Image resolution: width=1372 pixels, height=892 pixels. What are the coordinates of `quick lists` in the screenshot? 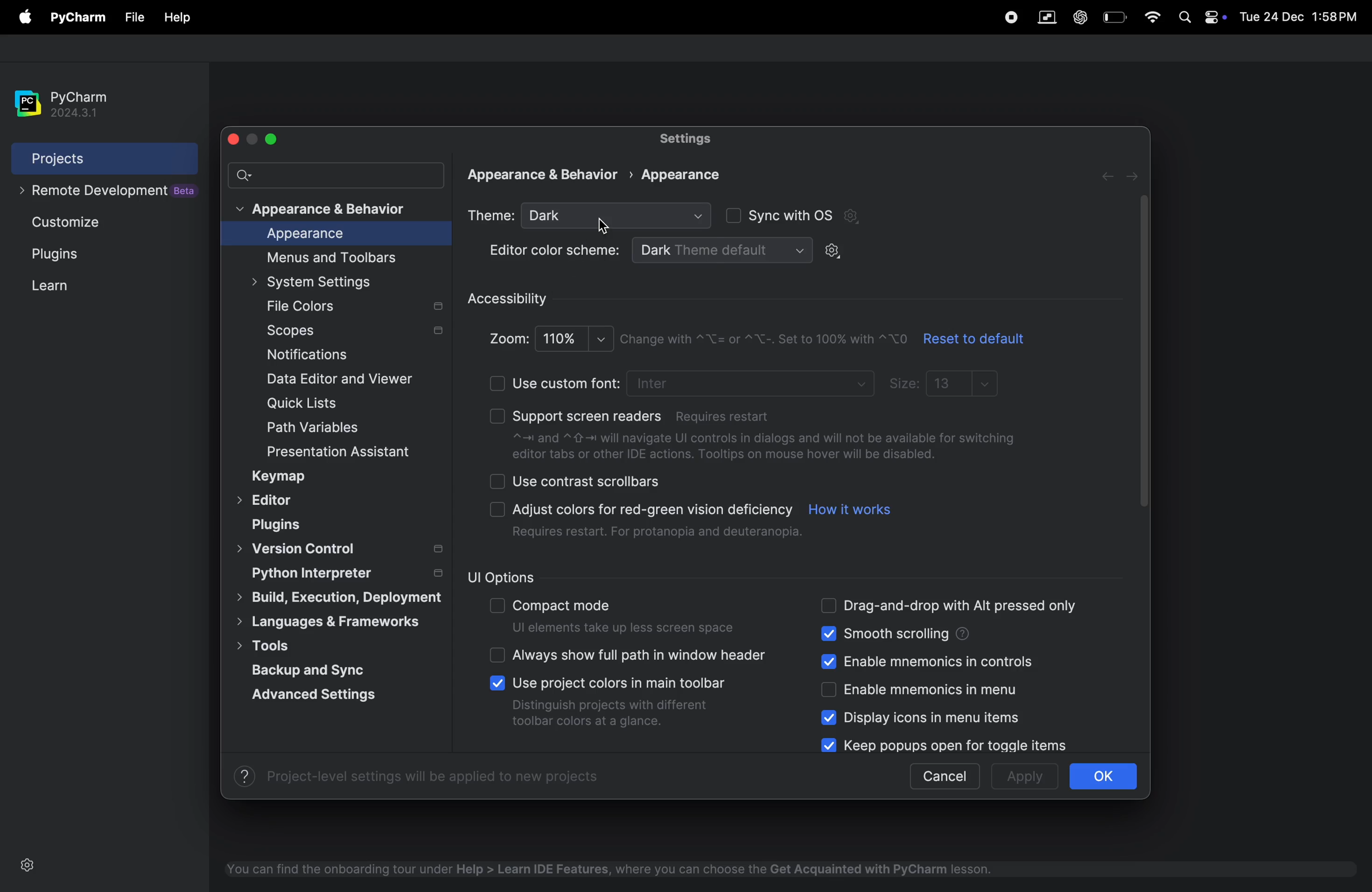 It's located at (319, 406).